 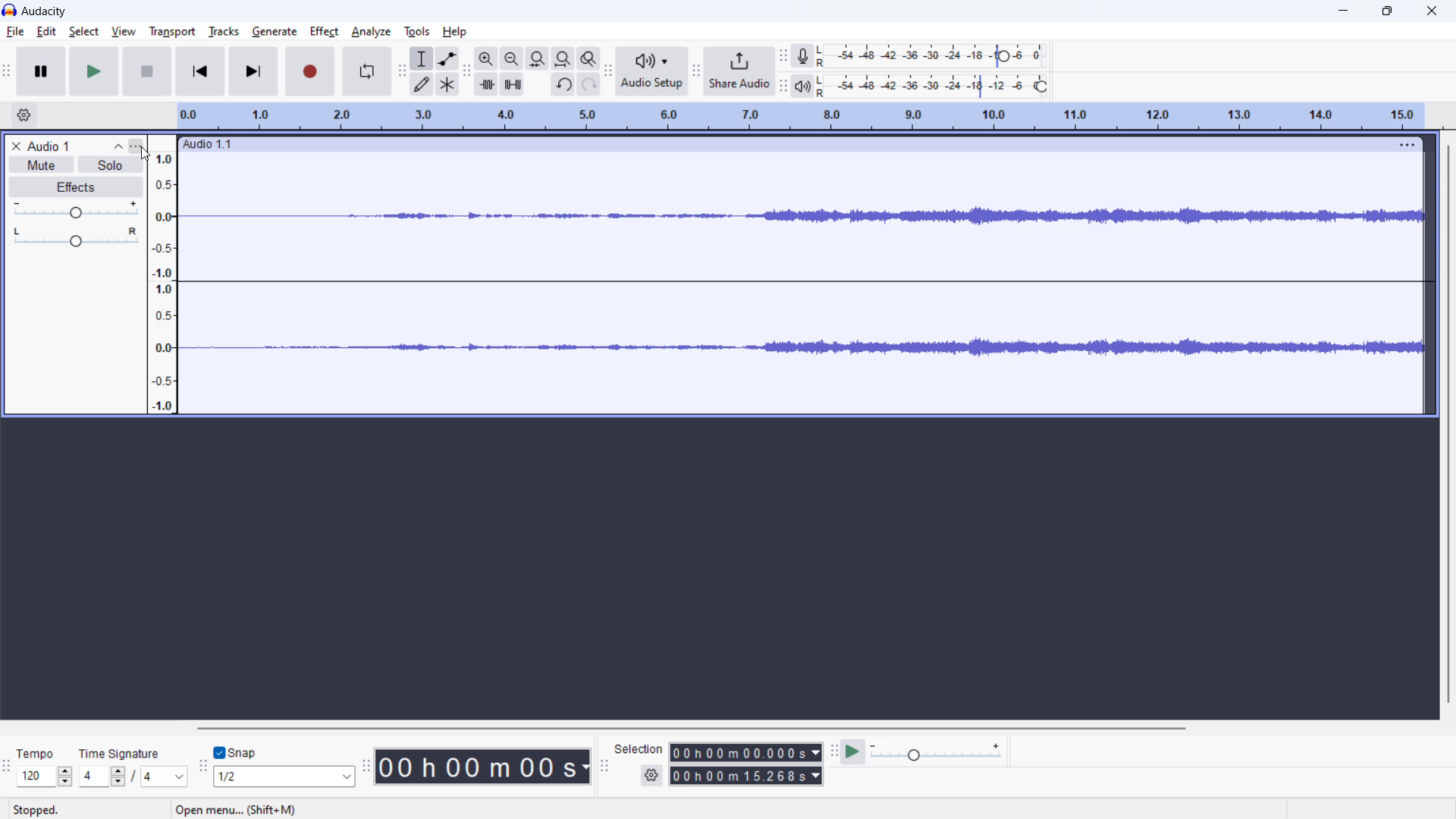 What do you see at coordinates (805, 350) in the screenshot?
I see `wave` at bounding box center [805, 350].